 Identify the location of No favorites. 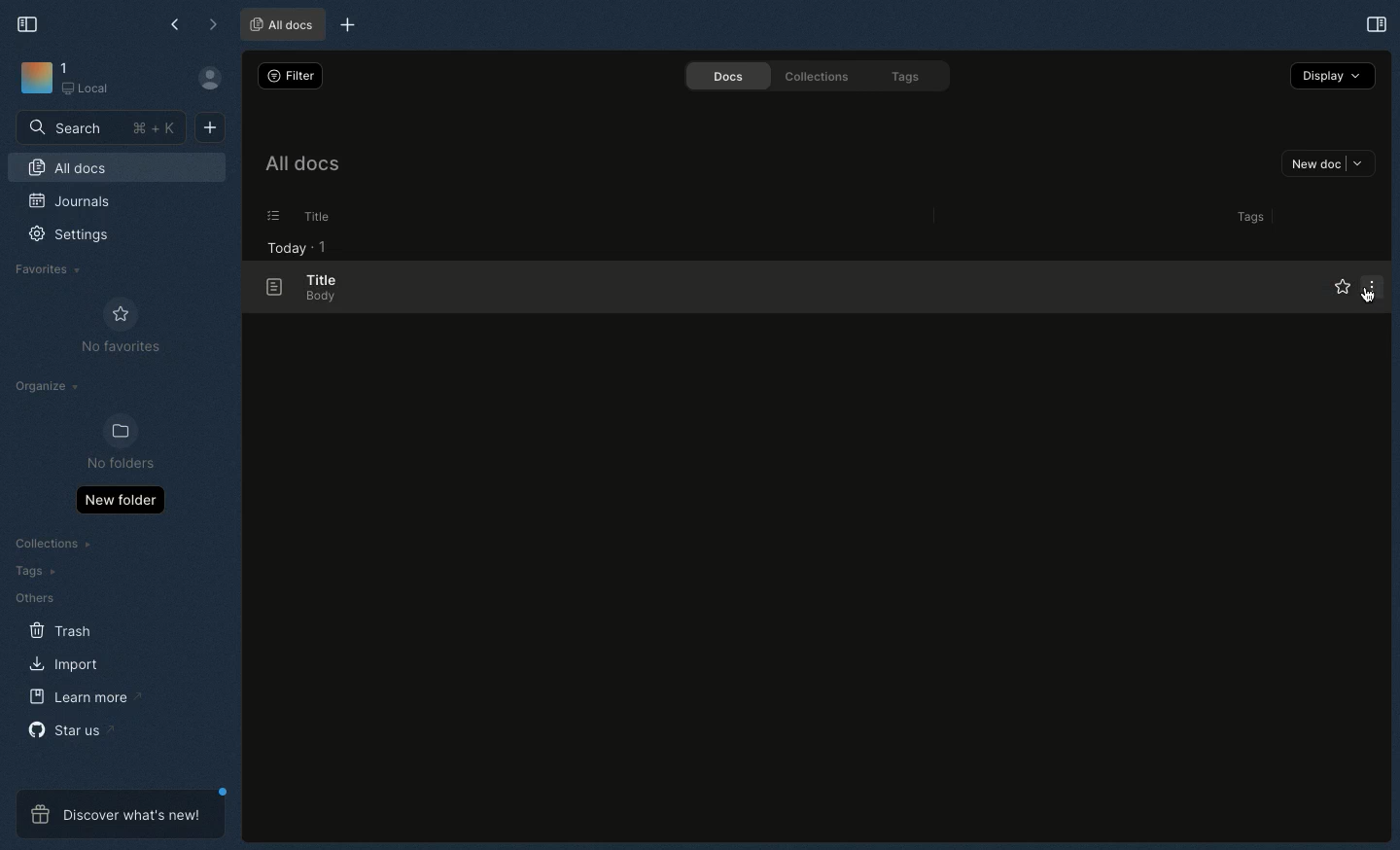
(121, 326).